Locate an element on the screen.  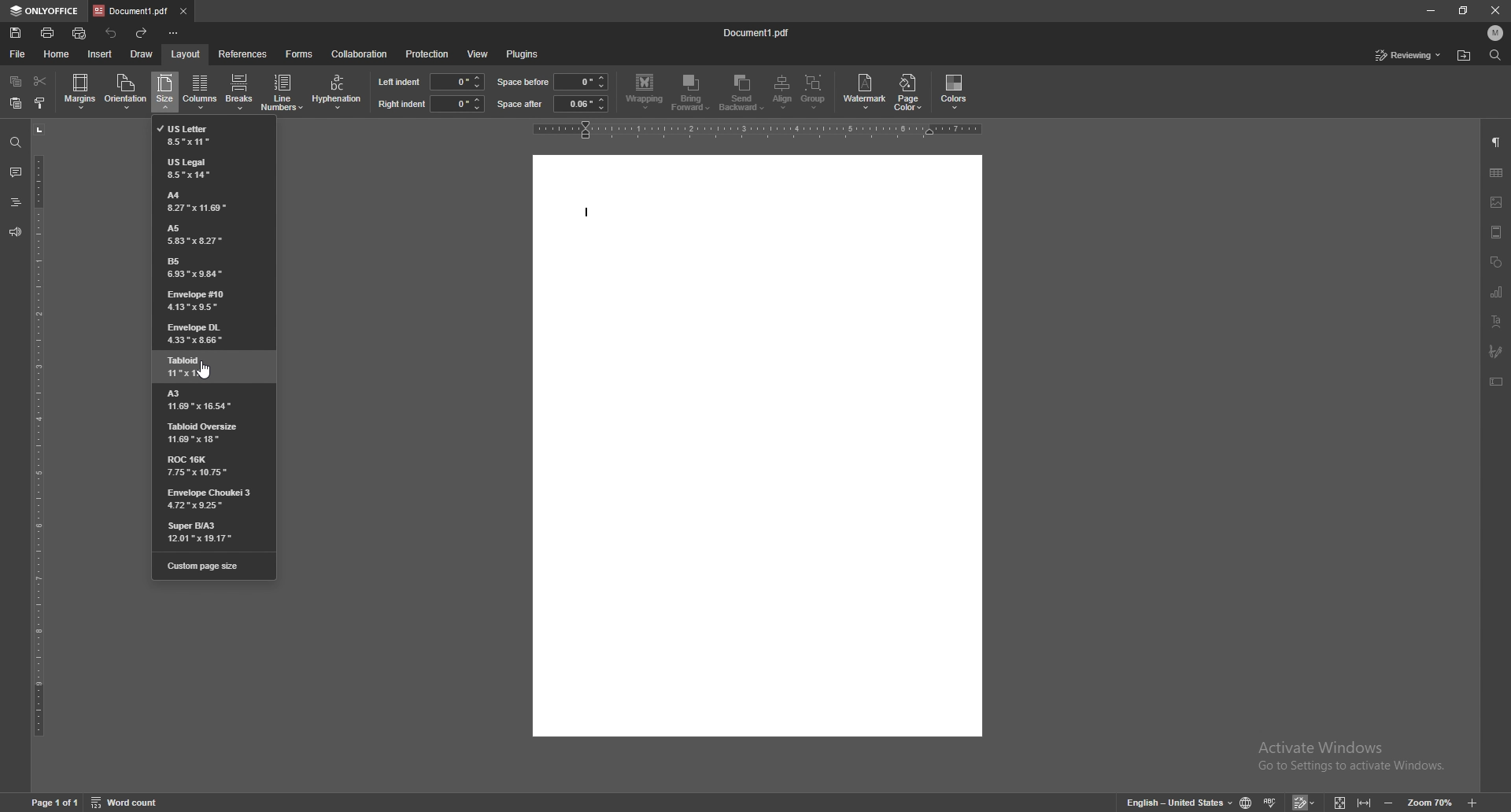
fit to width is located at coordinates (1366, 802).